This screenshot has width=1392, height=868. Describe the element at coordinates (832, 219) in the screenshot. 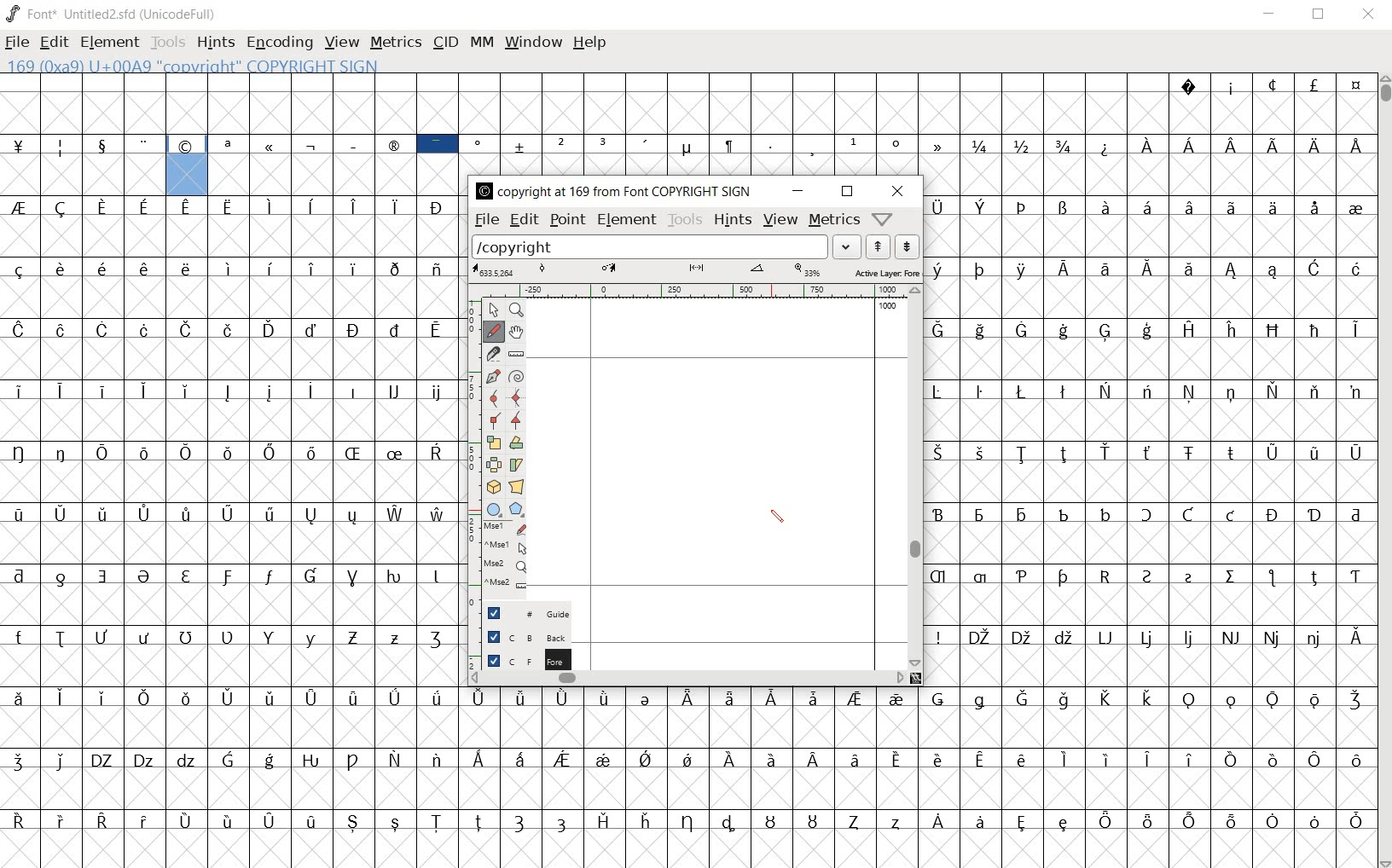

I see `metrics` at that location.